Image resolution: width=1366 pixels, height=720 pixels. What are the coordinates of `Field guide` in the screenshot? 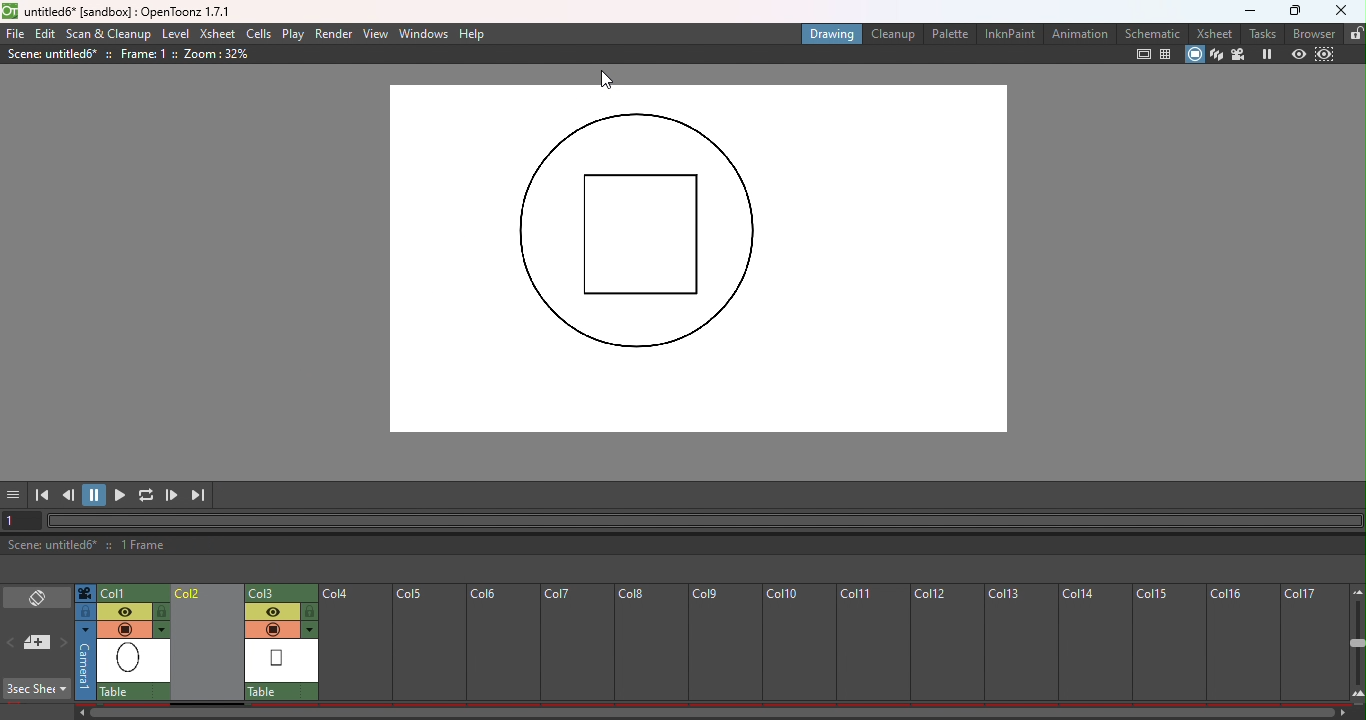 It's located at (1166, 56).